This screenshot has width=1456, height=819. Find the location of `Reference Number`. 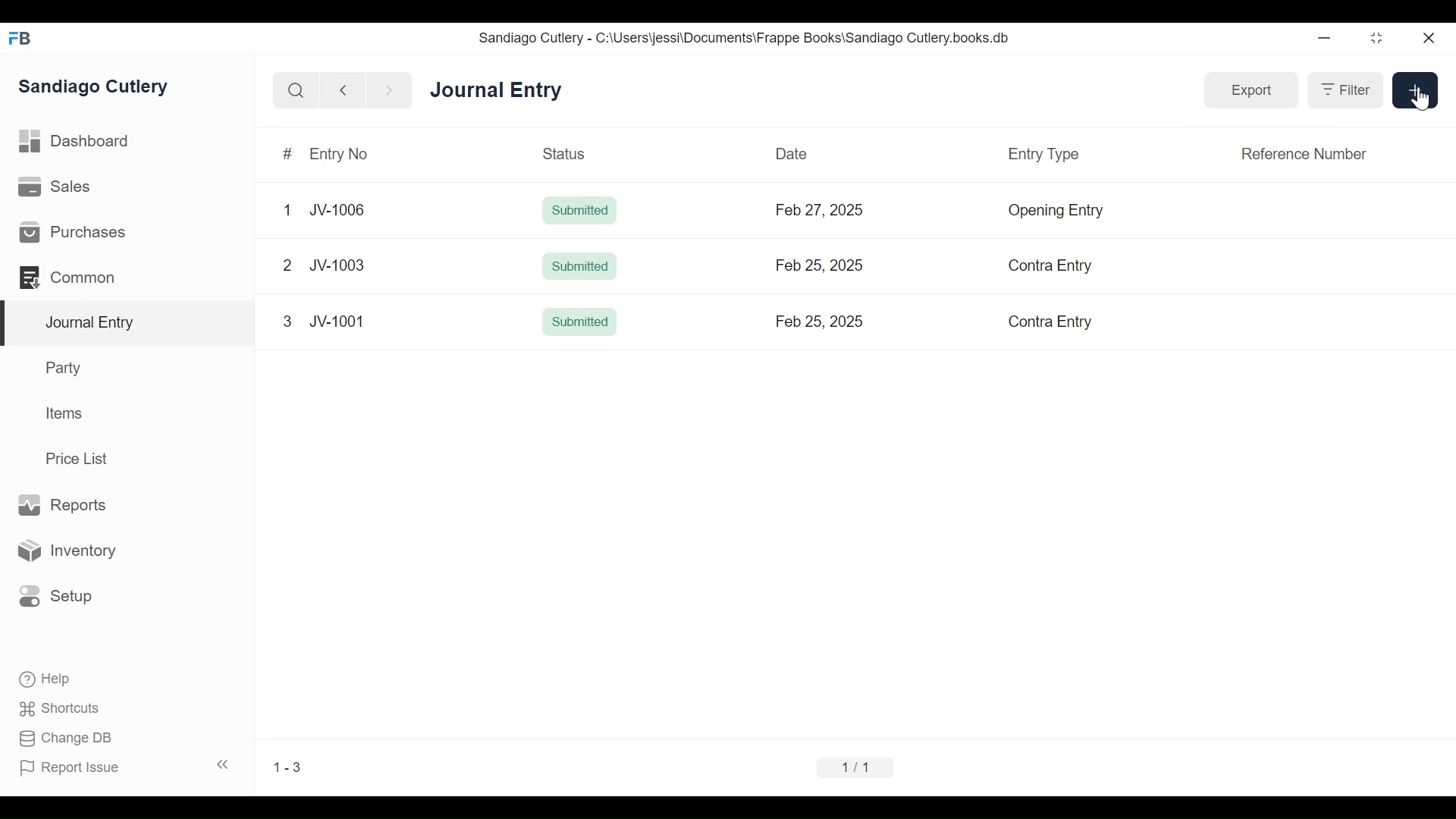

Reference Number is located at coordinates (1305, 152).